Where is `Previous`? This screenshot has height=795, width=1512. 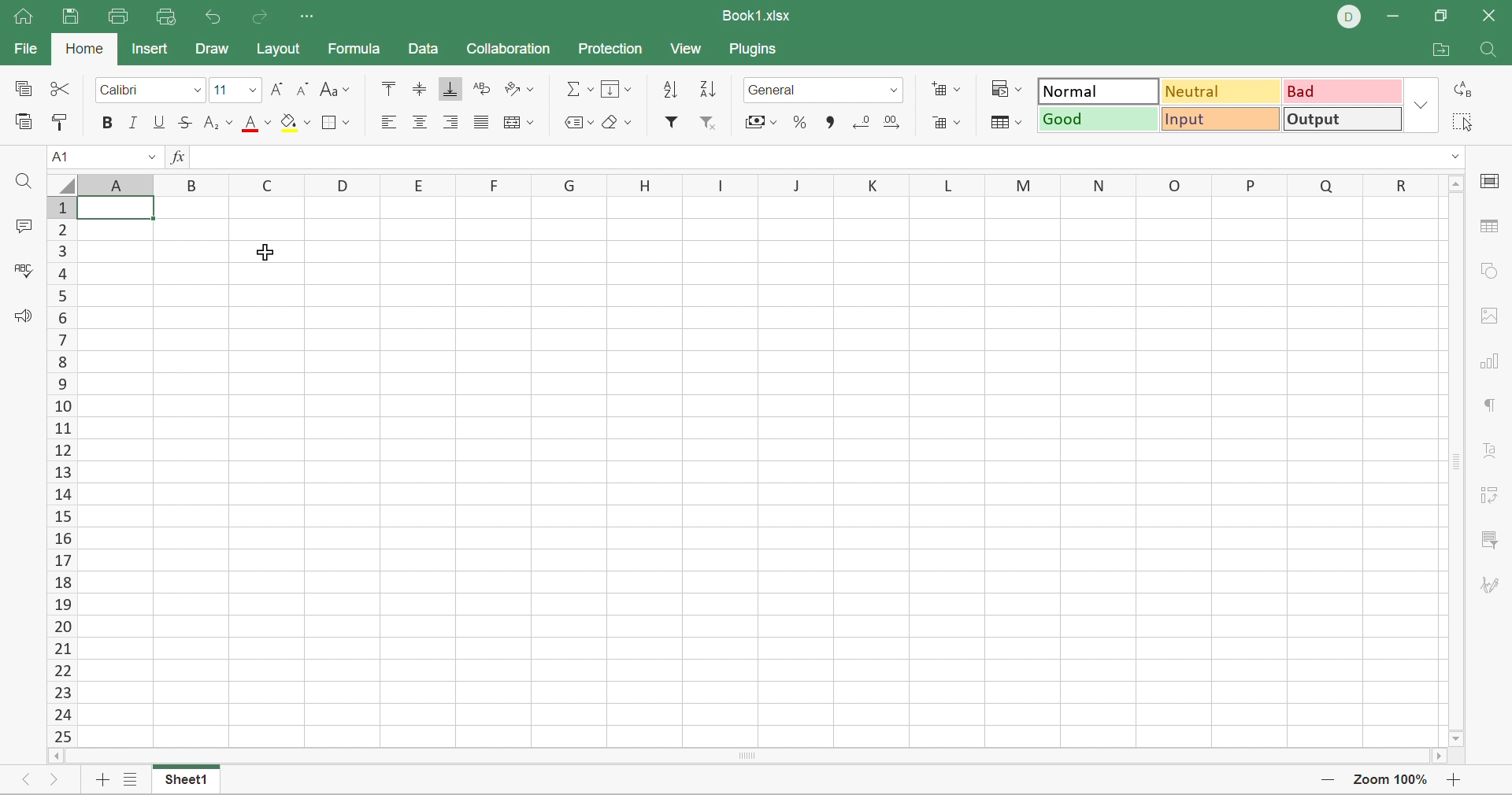 Previous is located at coordinates (21, 779).